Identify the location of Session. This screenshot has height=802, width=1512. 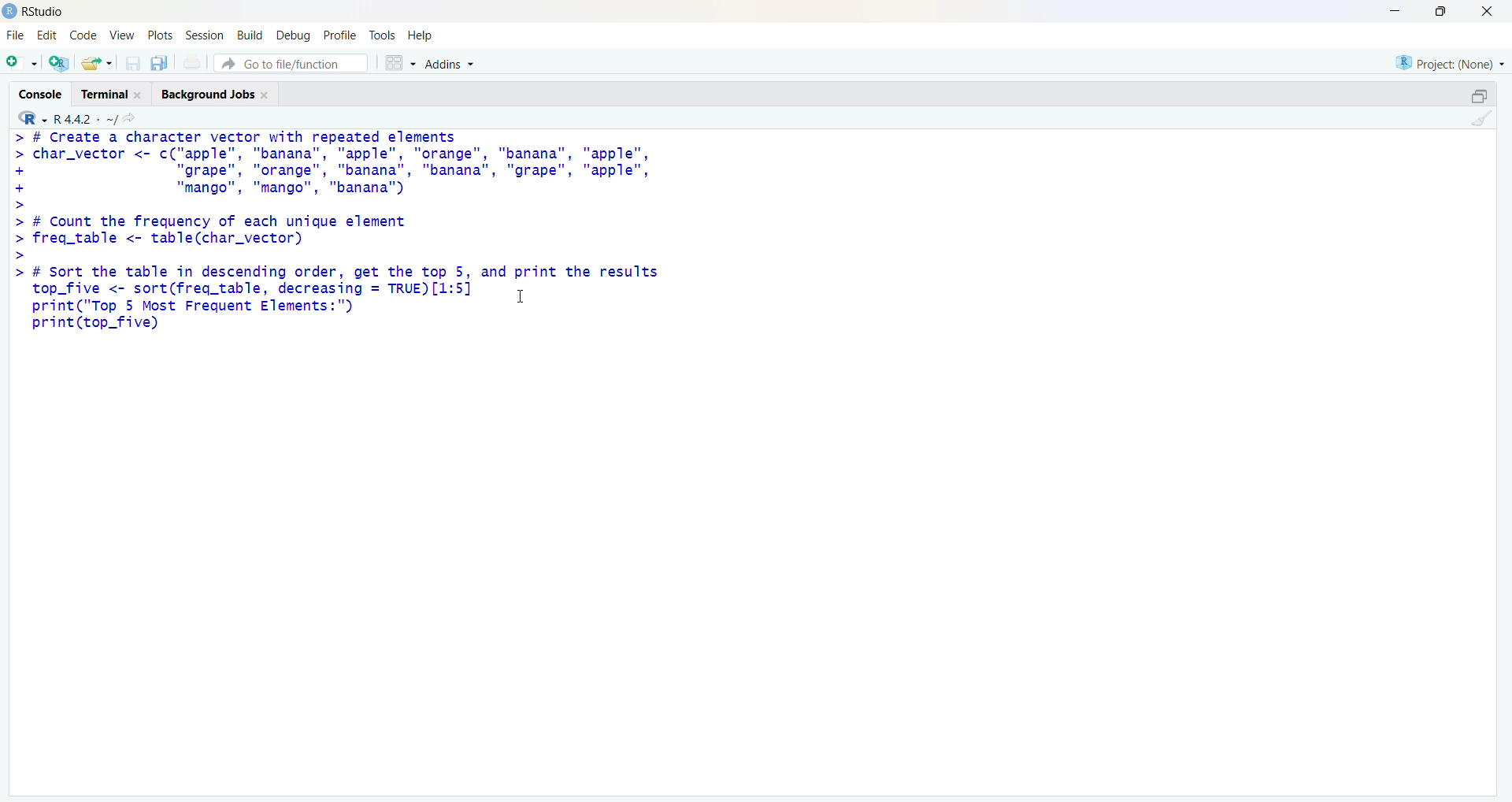
(206, 35).